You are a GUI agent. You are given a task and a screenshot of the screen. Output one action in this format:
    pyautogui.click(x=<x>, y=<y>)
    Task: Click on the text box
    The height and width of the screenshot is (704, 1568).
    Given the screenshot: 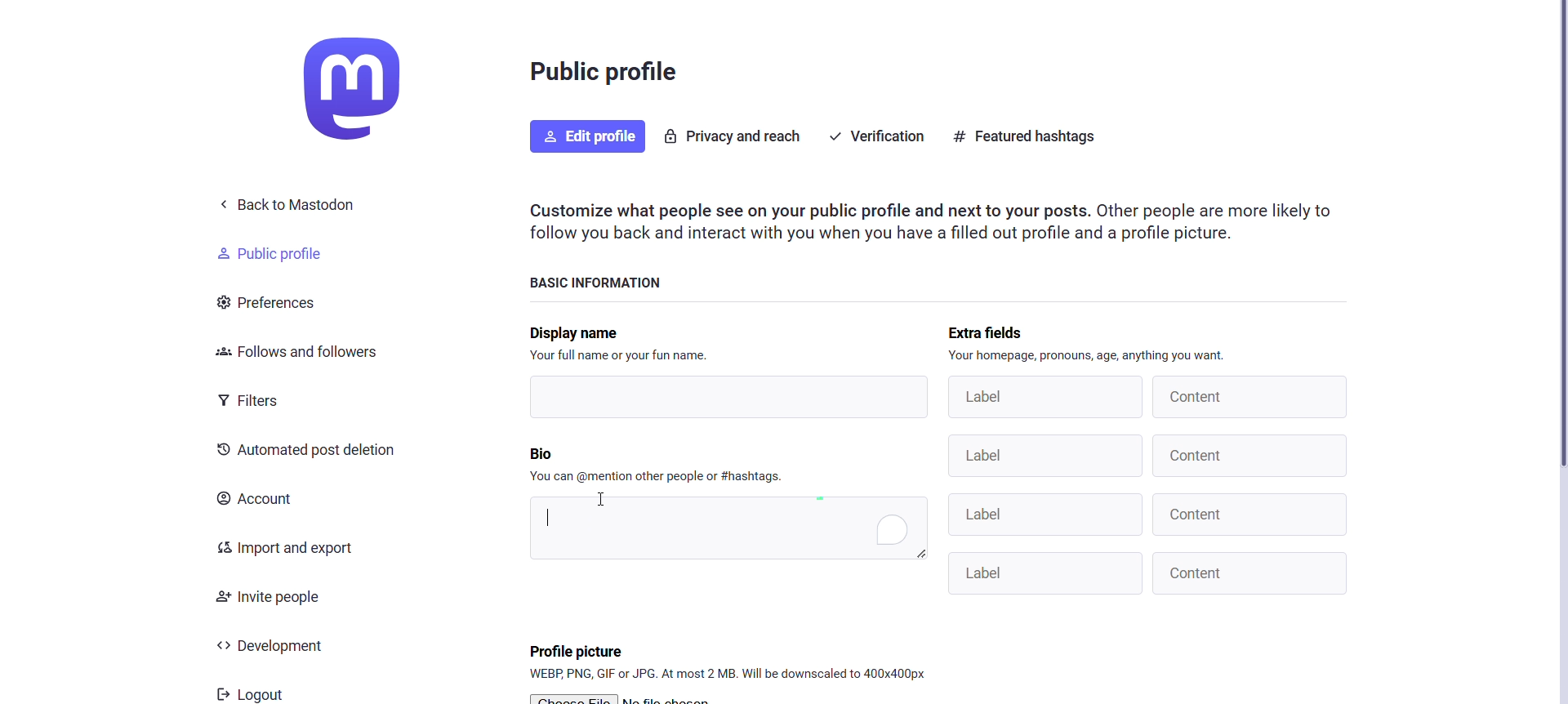 What is the action you would take?
    pyautogui.click(x=727, y=528)
    